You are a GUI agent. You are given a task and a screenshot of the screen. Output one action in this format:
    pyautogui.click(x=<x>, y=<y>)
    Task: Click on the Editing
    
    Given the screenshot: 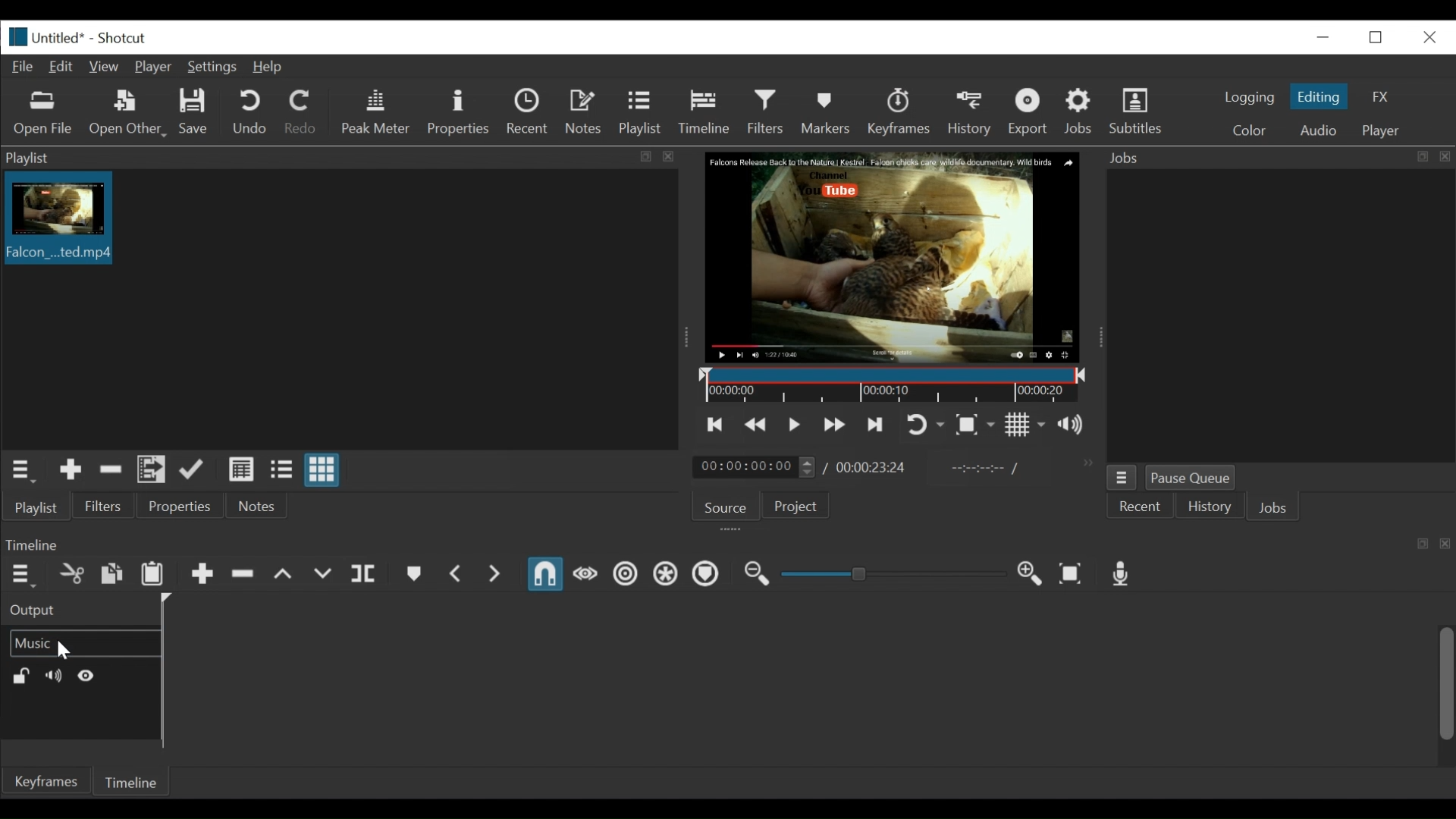 What is the action you would take?
    pyautogui.click(x=1317, y=96)
    